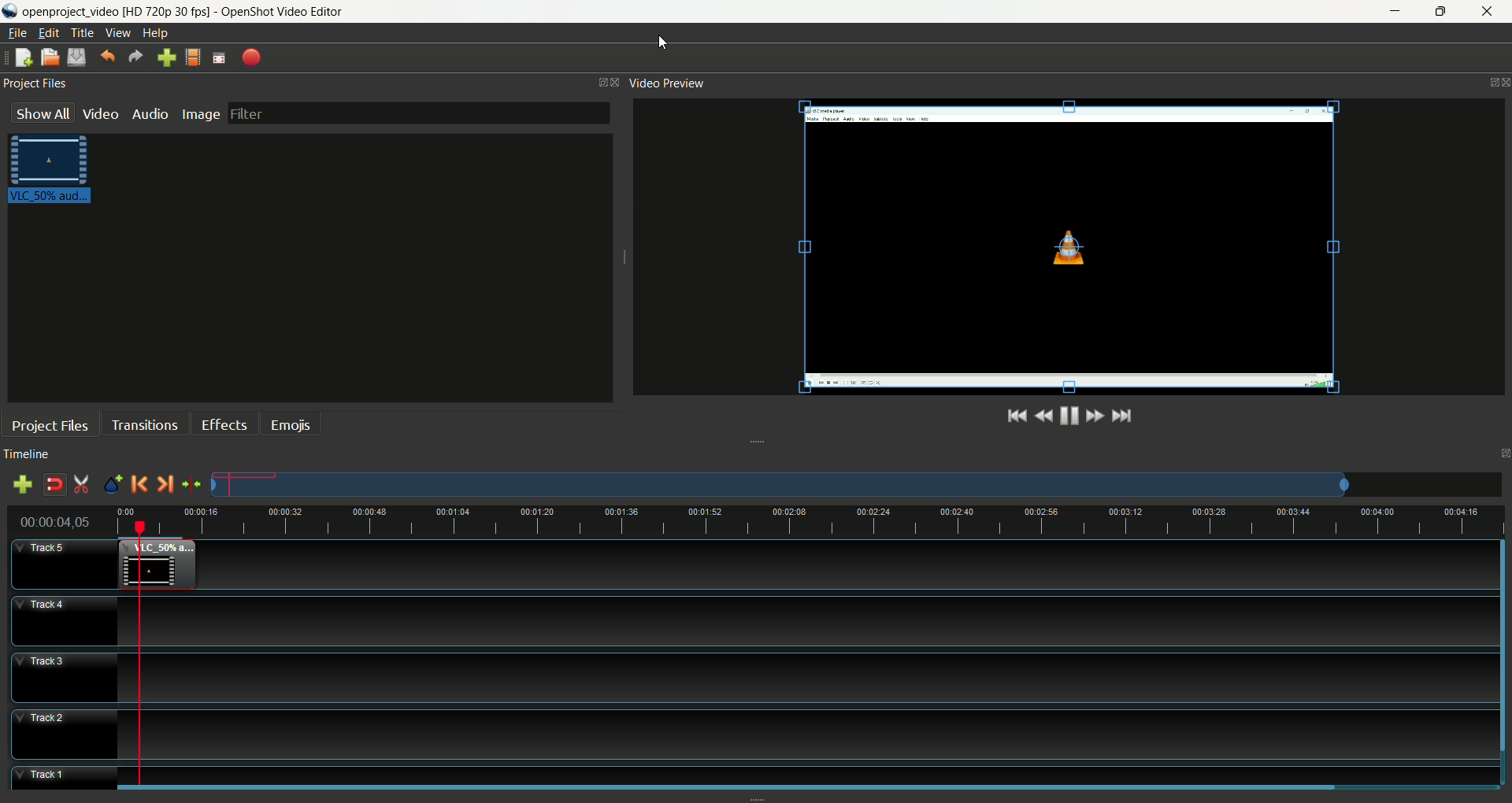  What do you see at coordinates (857, 485) in the screenshot?
I see `zoom factor` at bounding box center [857, 485].